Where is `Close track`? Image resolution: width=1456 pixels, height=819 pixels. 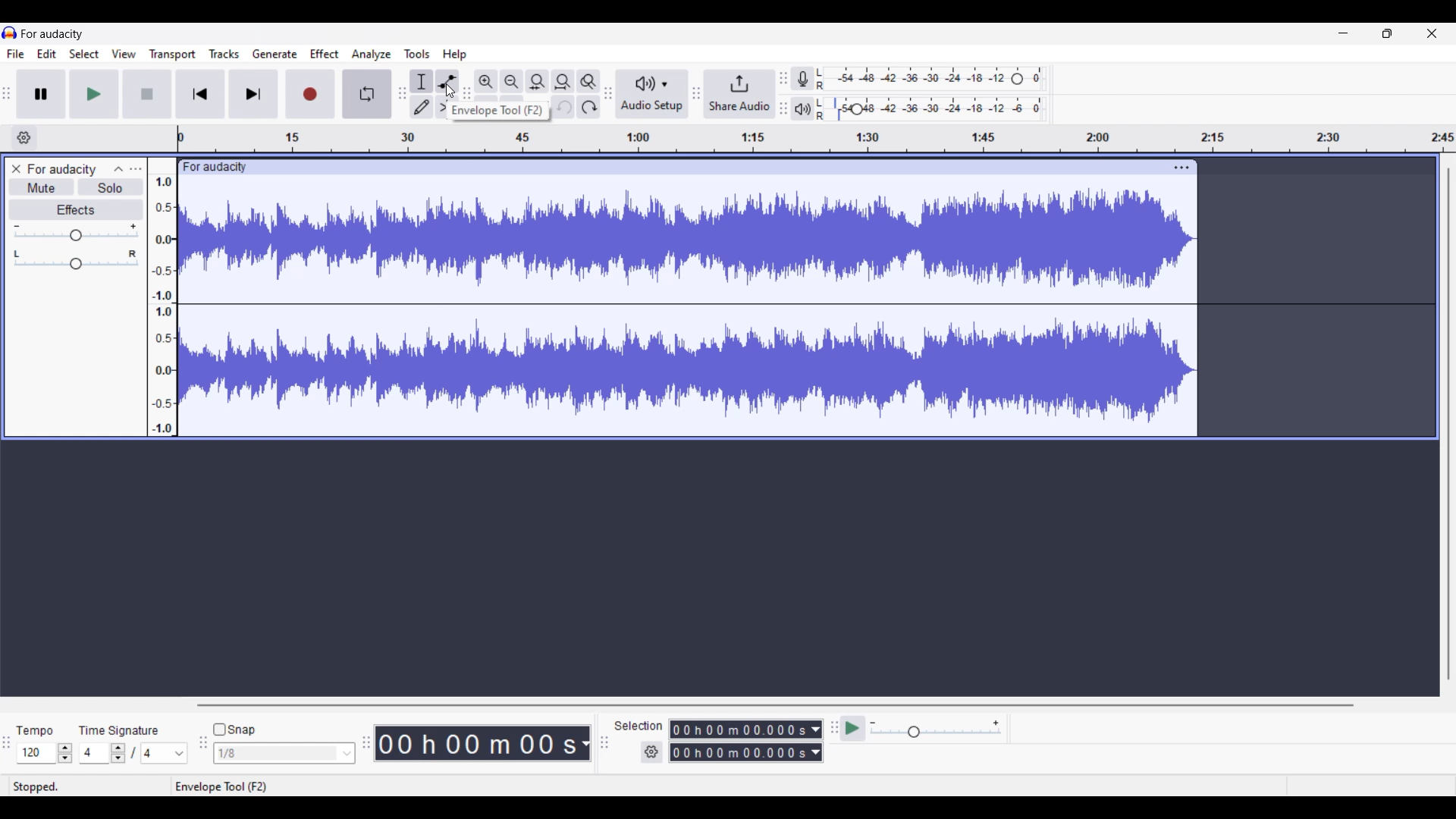 Close track is located at coordinates (17, 168).